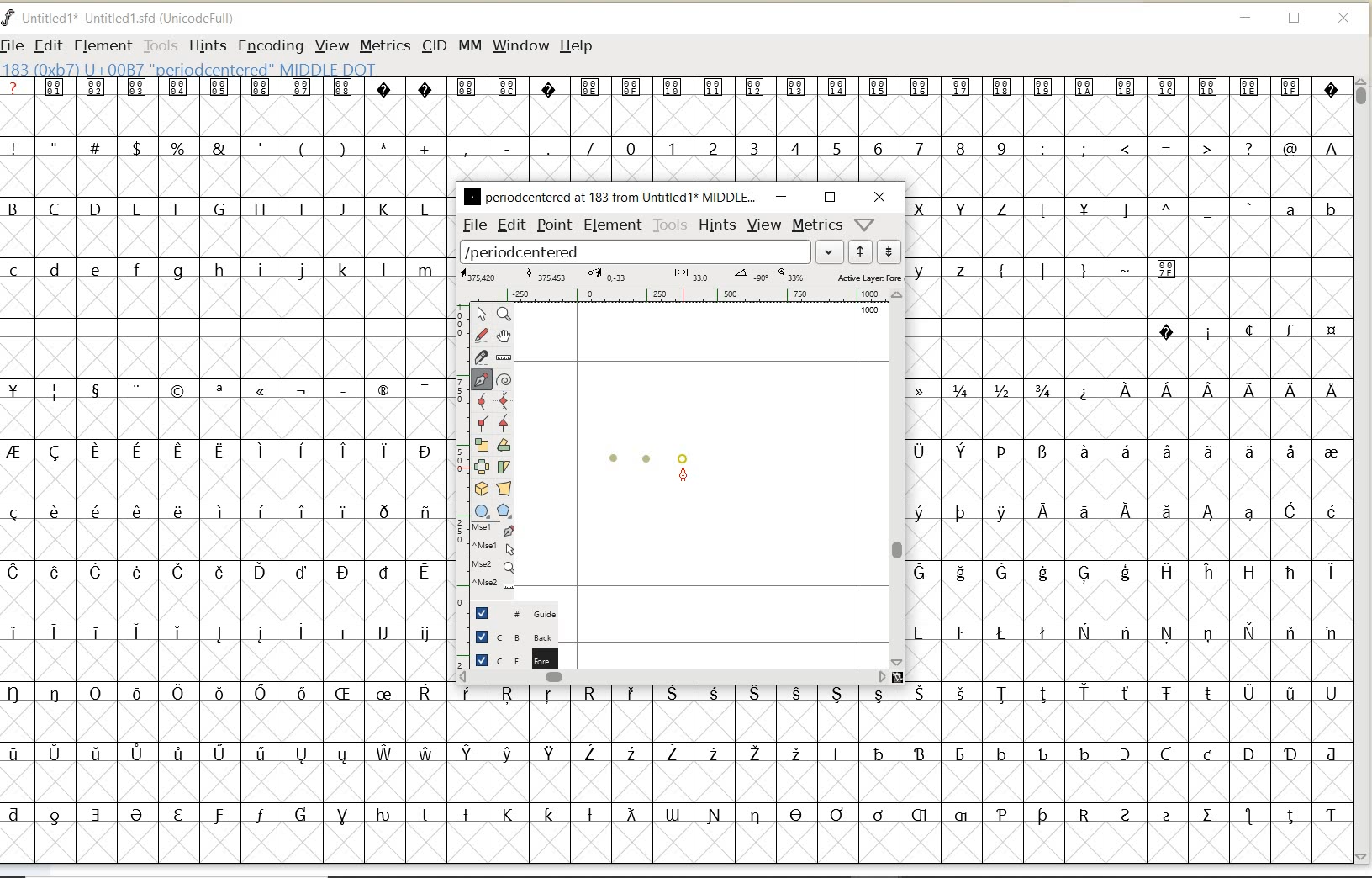  I want to click on view, so click(765, 225).